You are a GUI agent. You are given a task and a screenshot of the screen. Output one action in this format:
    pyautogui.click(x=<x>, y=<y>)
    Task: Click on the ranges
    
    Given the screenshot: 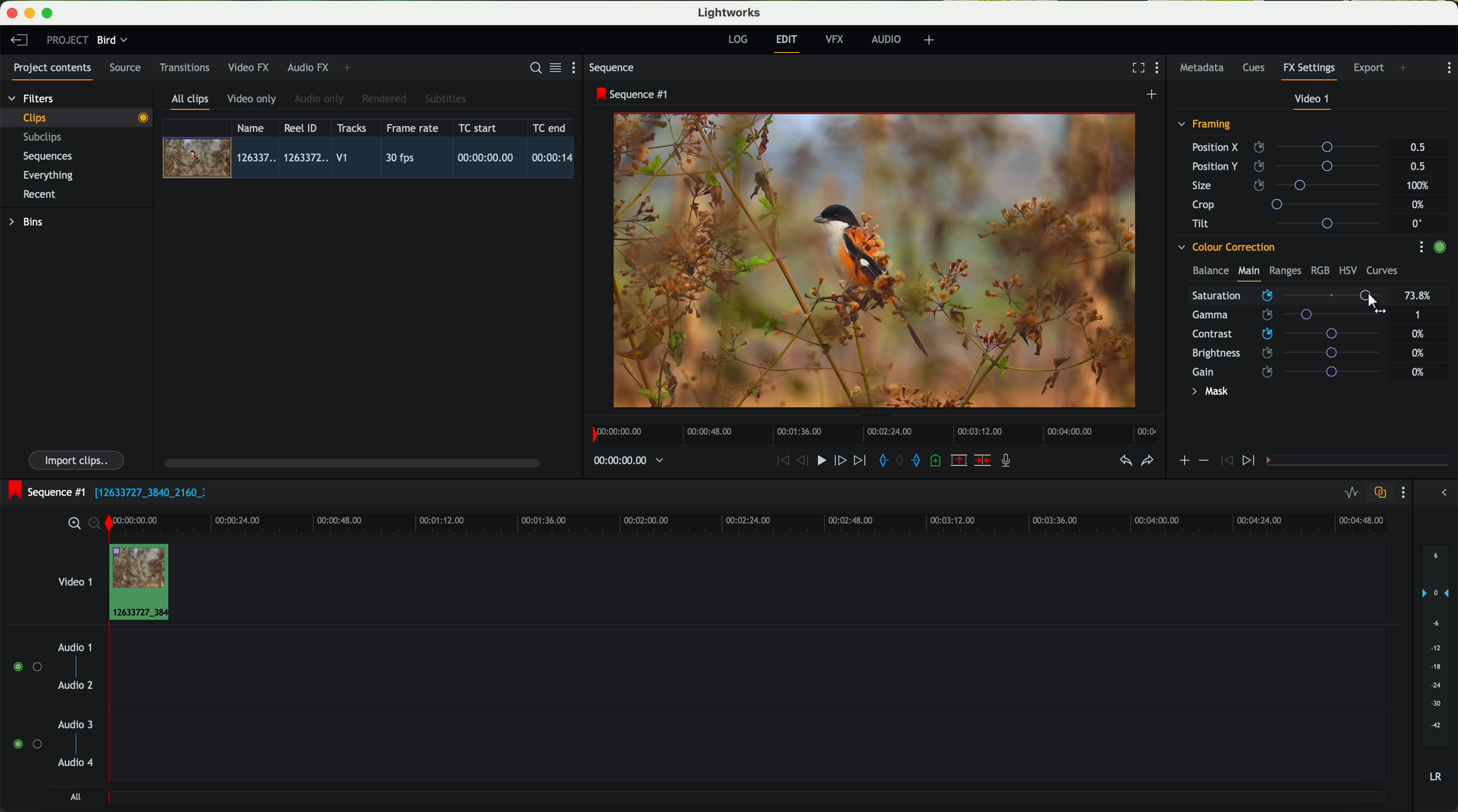 What is the action you would take?
    pyautogui.click(x=1285, y=270)
    